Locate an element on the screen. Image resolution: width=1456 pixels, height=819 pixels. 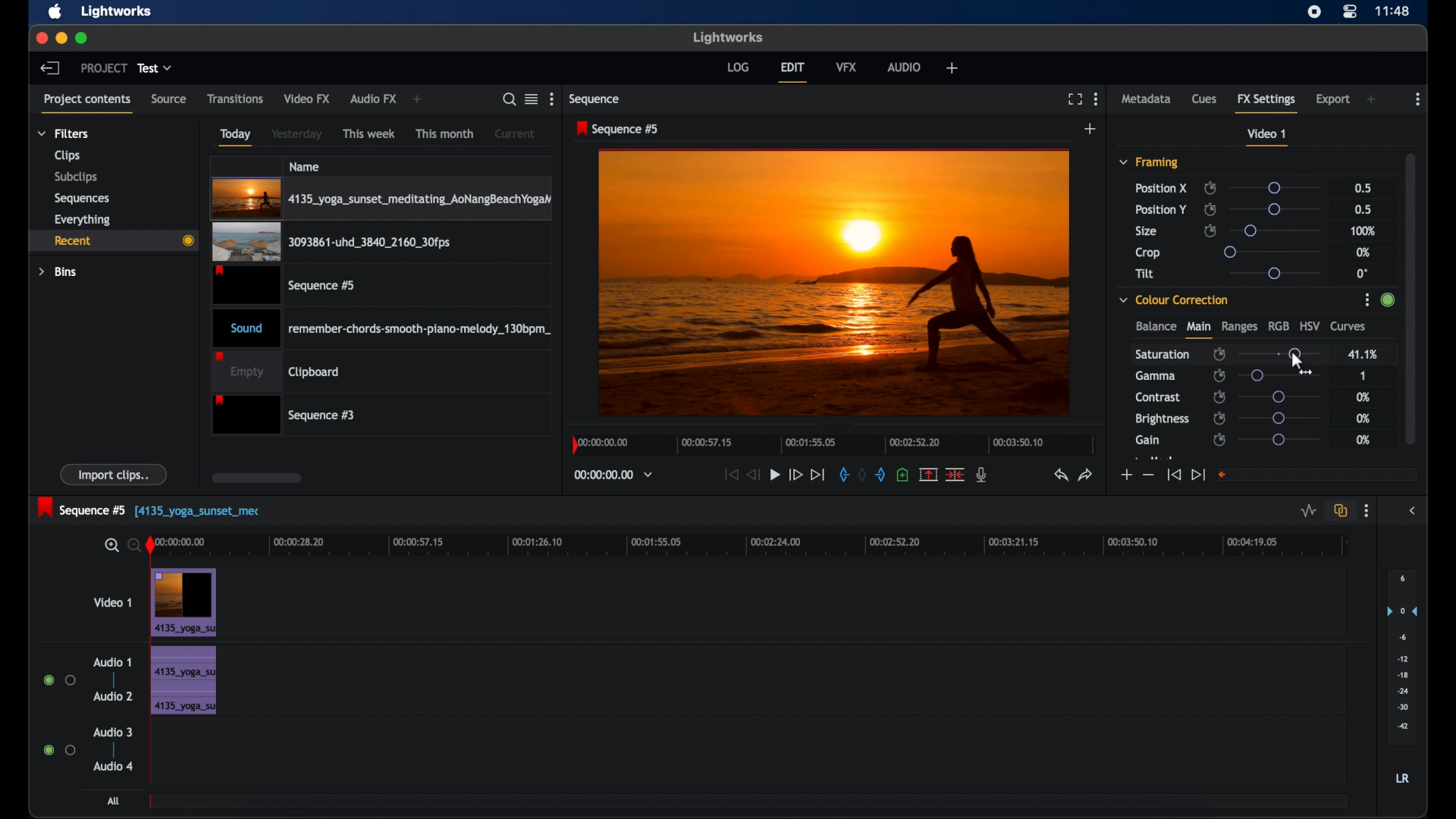
timecodes and reels is located at coordinates (613, 475).